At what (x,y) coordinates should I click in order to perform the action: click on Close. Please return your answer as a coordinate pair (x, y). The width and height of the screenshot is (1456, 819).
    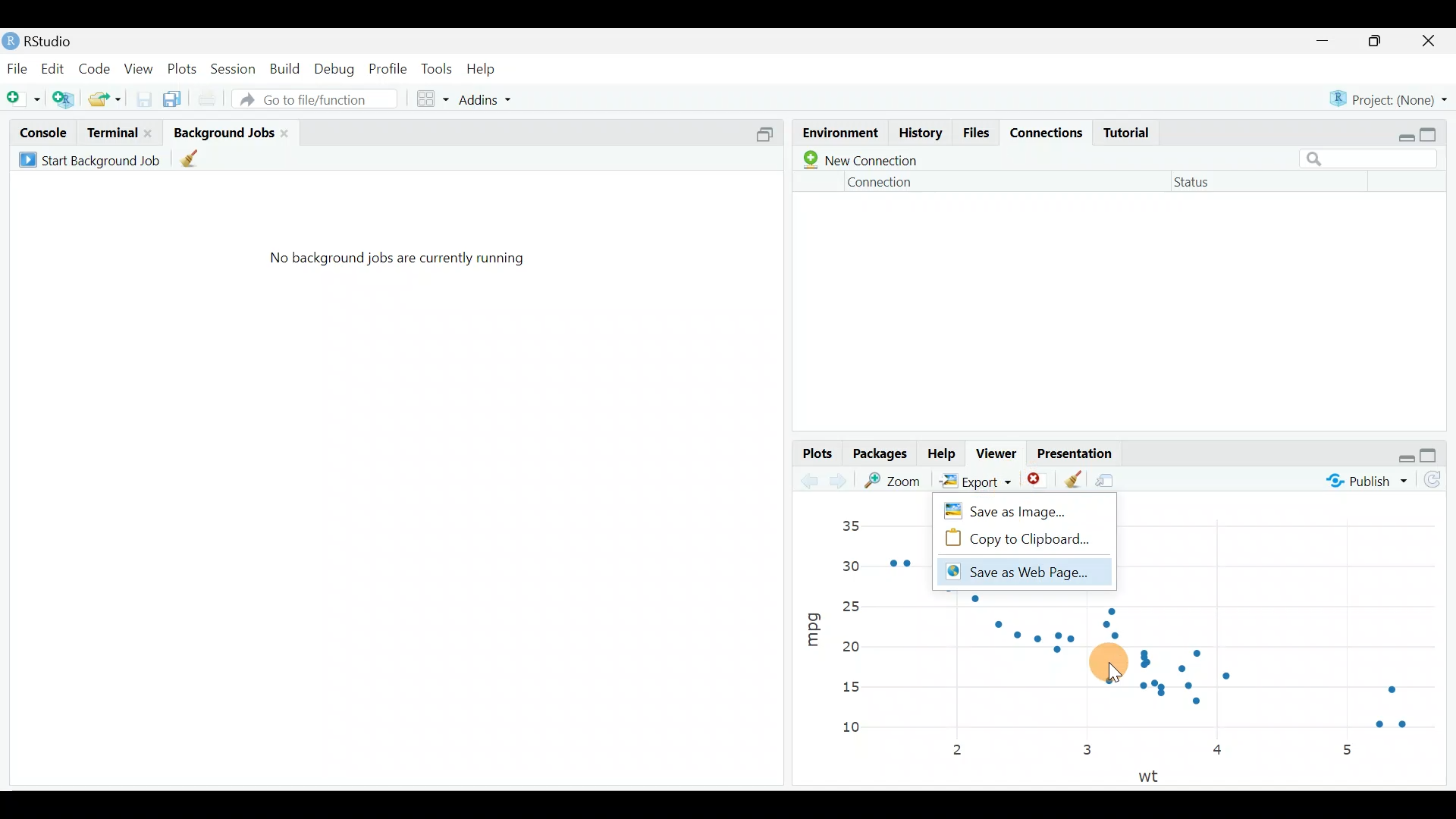
    Looking at the image, I should click on (1430, 42).